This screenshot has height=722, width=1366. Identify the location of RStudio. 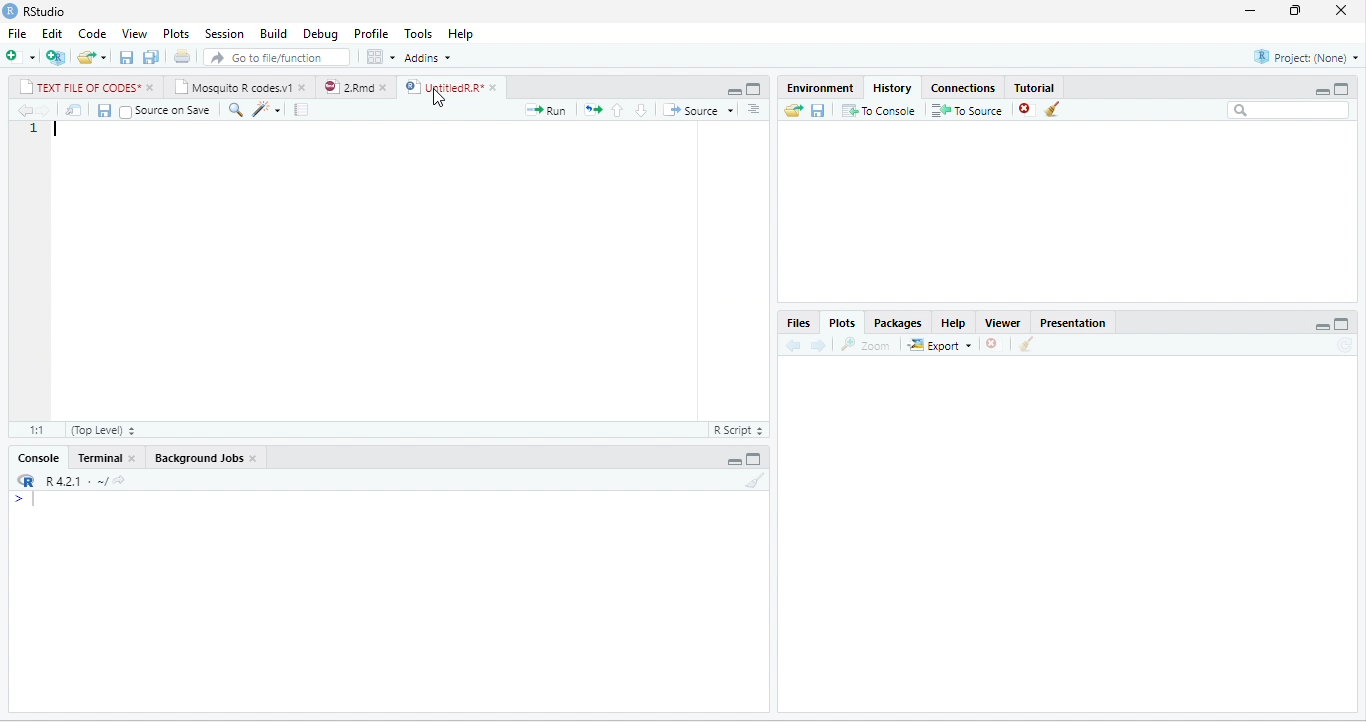
(46, 12).